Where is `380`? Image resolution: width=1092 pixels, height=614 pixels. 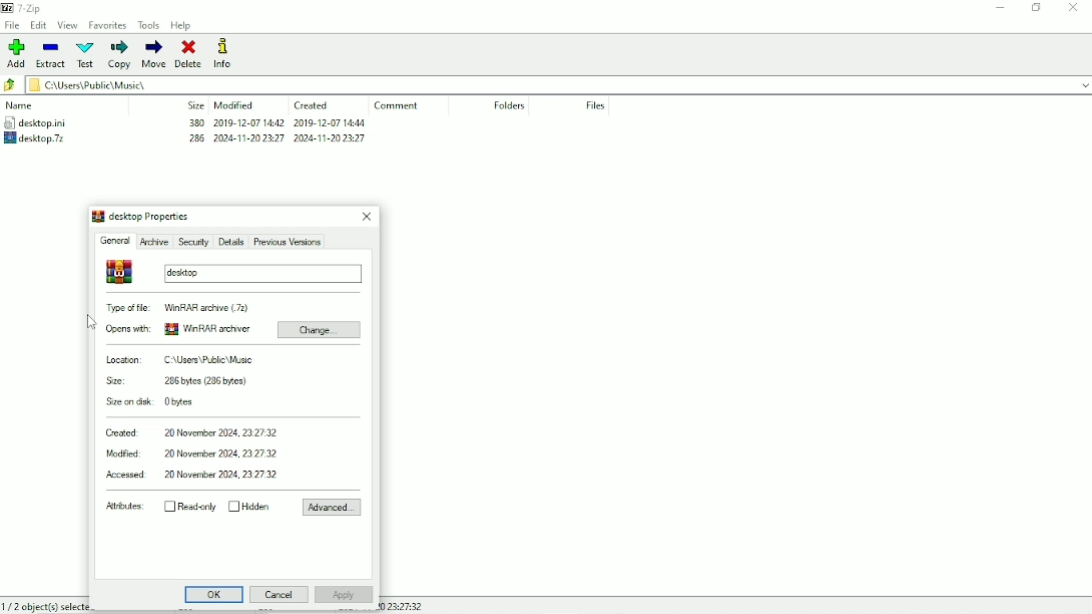 380 is located at coordinates (195, 122).